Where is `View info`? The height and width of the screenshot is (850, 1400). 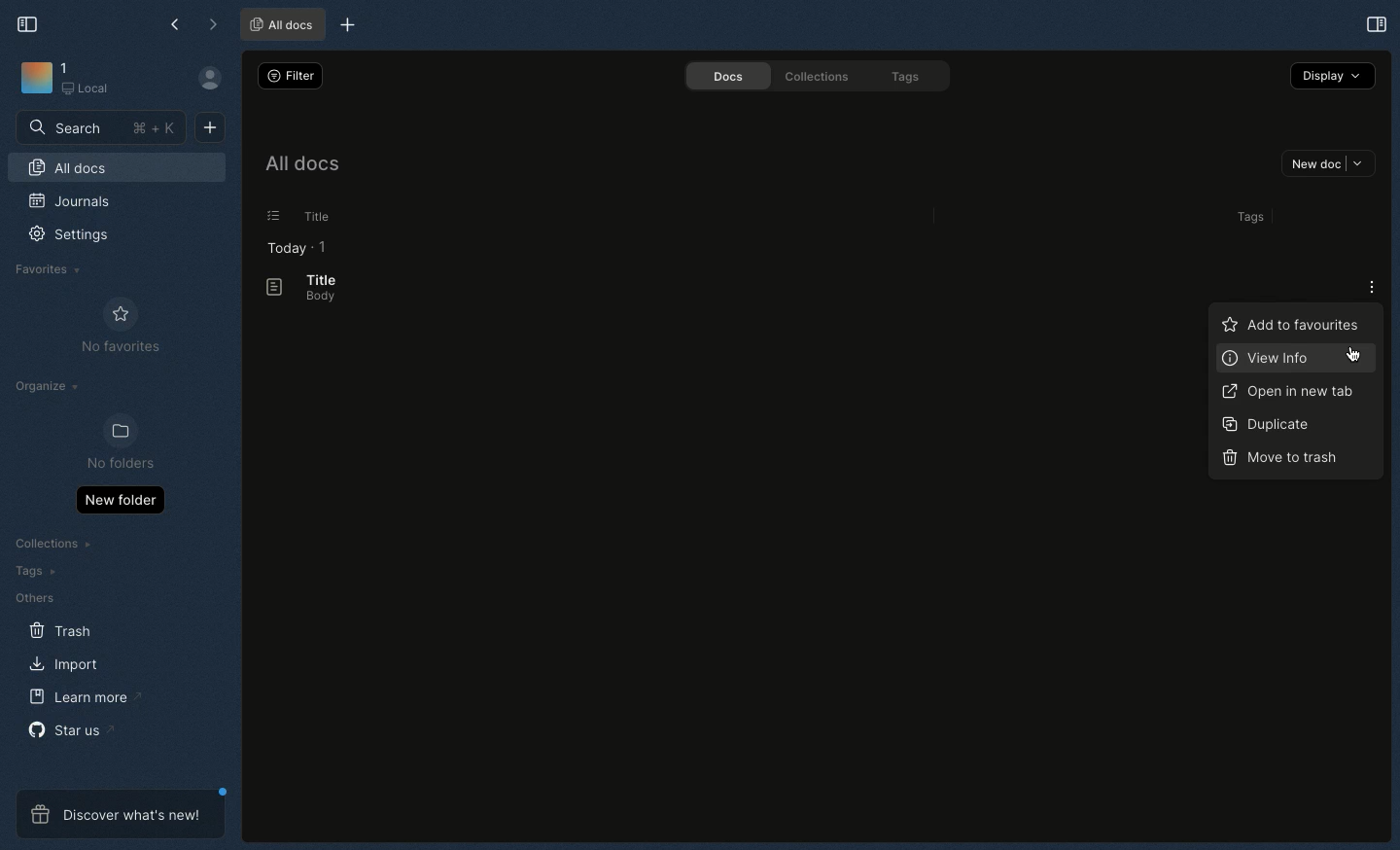
View info is located at coordinates (1278, 359).